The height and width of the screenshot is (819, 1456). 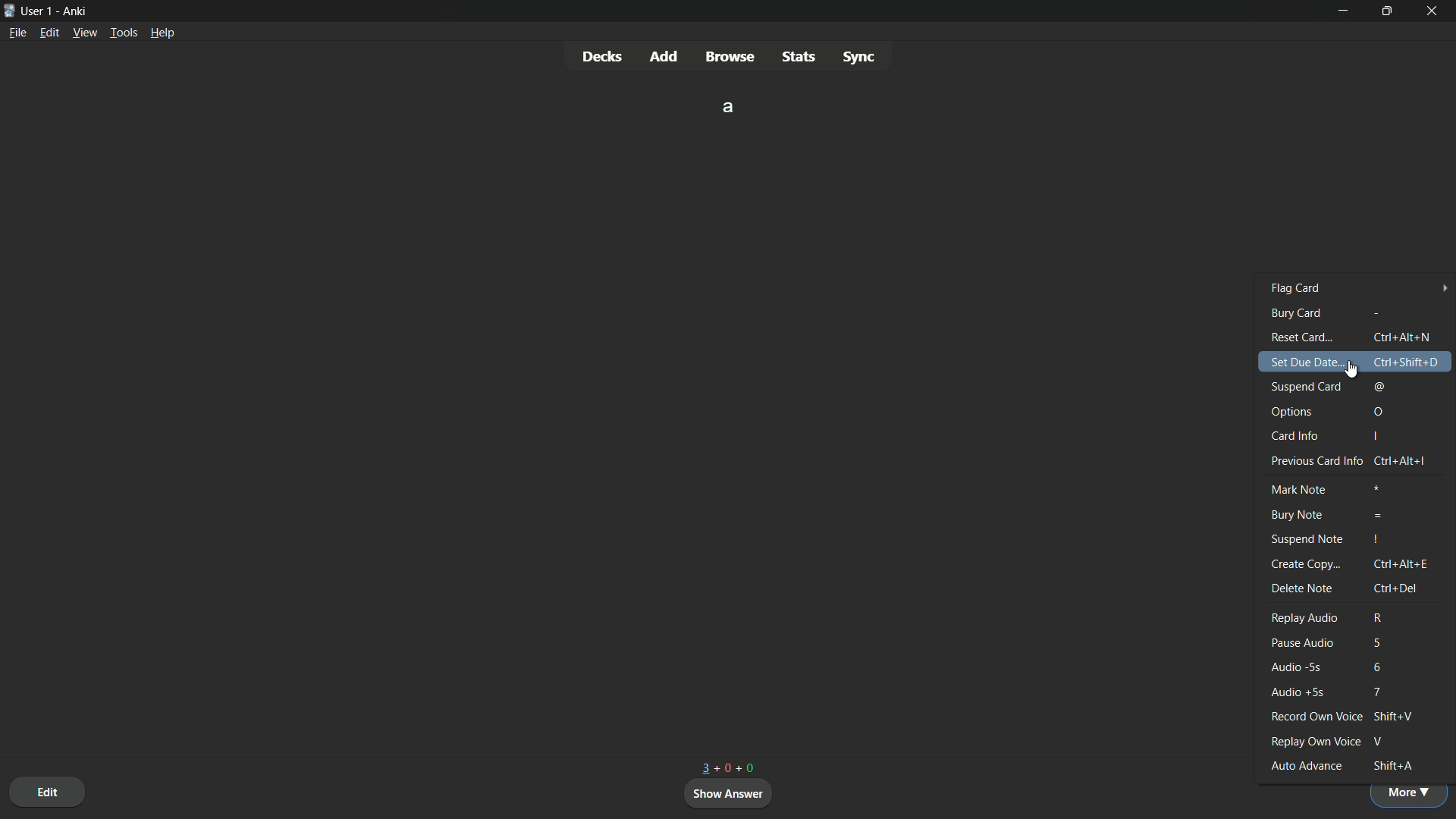 I want to click on keyboard shortcut, so click(x=1401, y=337).